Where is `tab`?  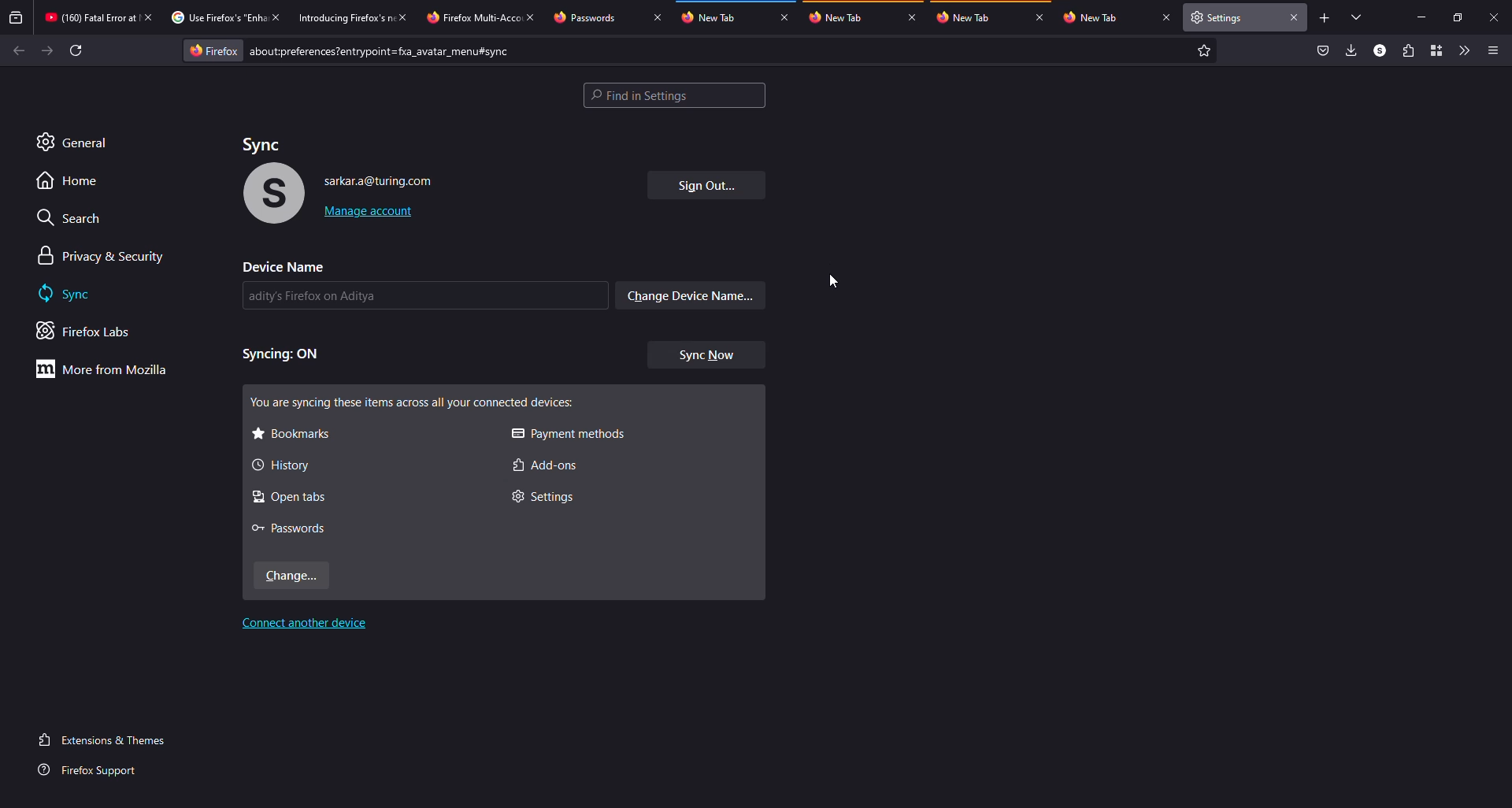 tab is located at coordinates (596, 18).